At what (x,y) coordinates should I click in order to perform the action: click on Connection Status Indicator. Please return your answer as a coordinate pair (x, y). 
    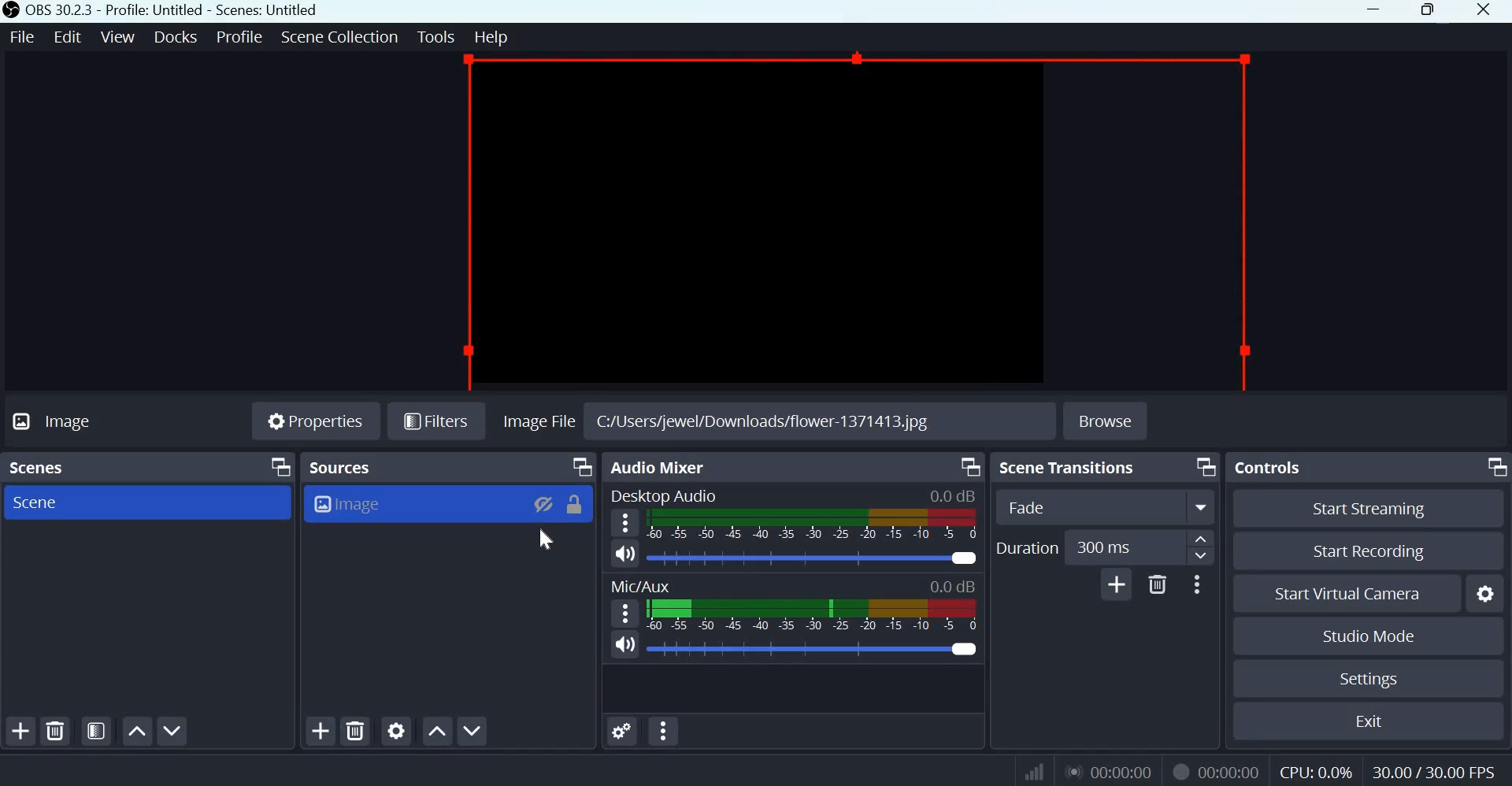
    Looking at the image, I should click on (1033, 769).